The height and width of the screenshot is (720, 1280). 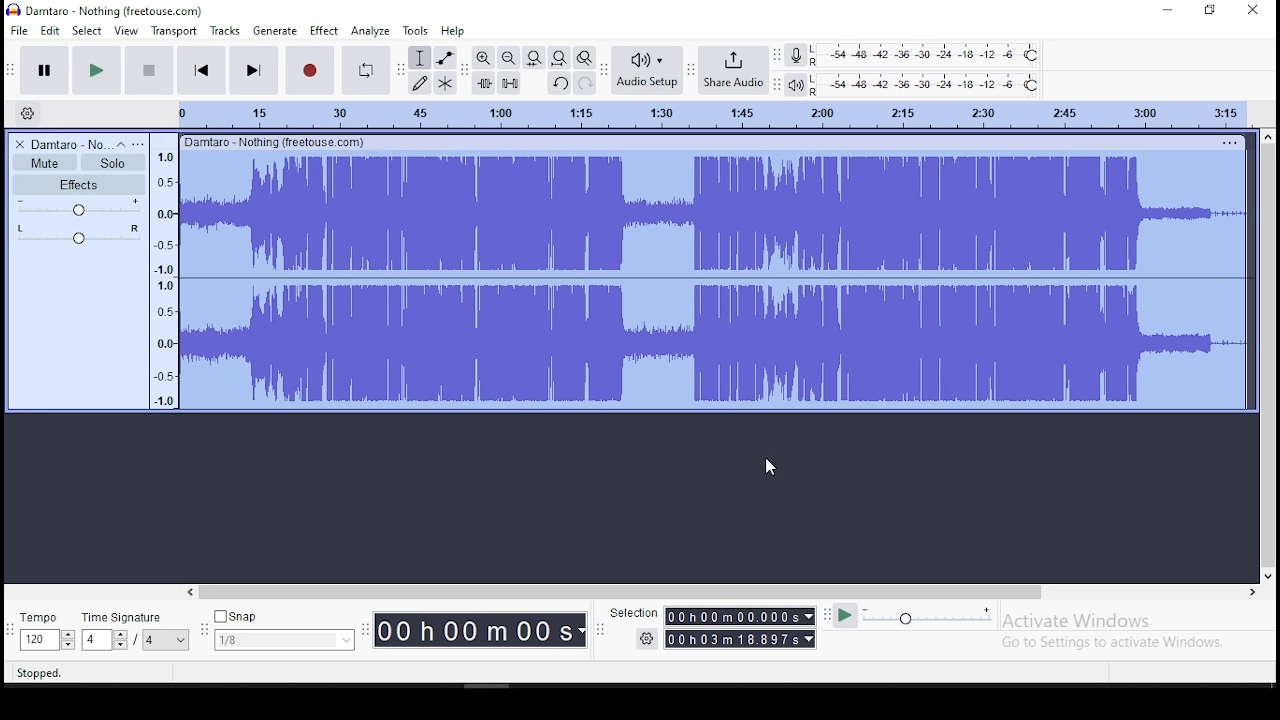 What do you see at coordinates (45, 163) in the screenshot?
I see `mute` at bounding box center [45, 163].